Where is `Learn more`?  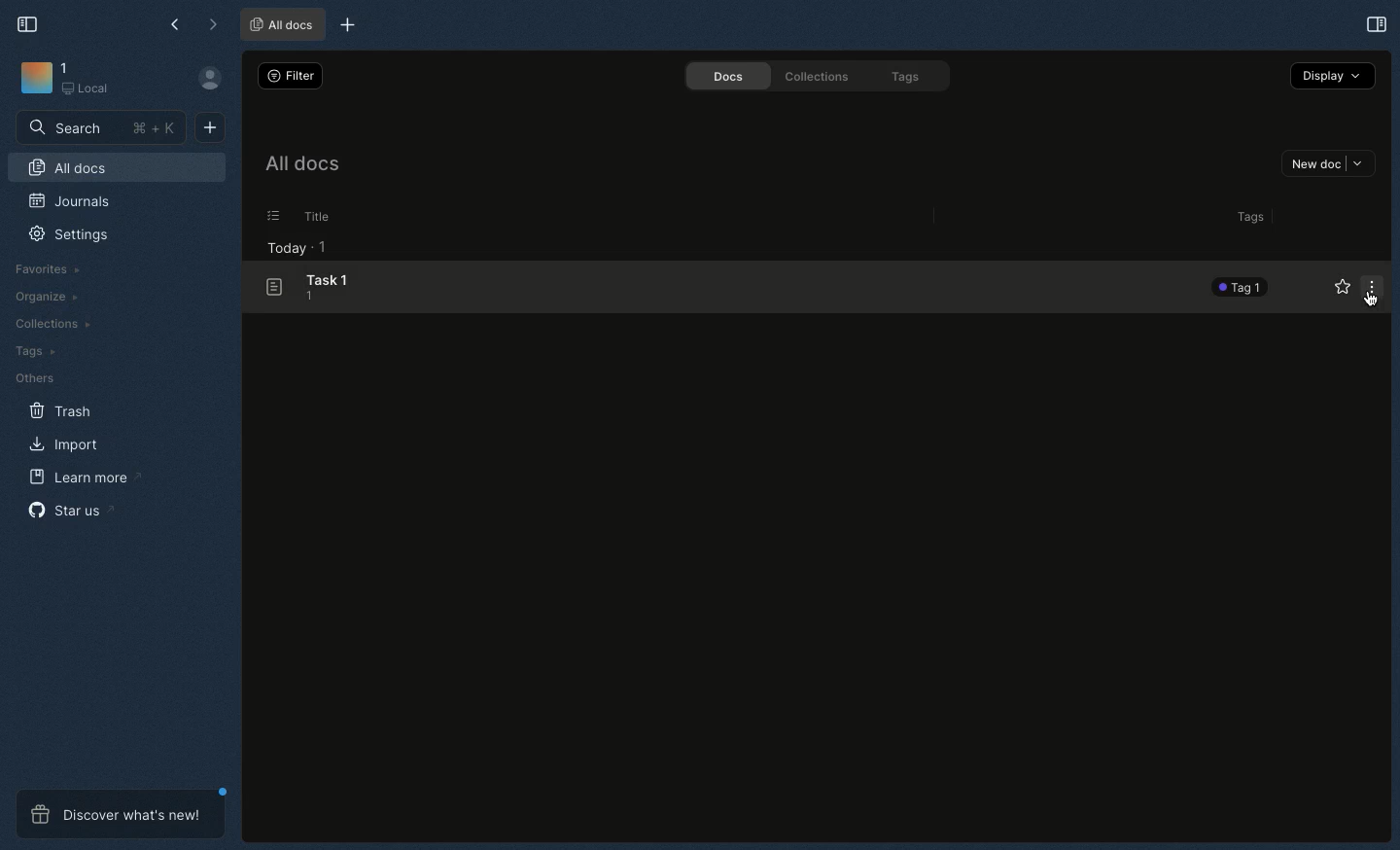
Learn more is located at coordinates (81, 476).